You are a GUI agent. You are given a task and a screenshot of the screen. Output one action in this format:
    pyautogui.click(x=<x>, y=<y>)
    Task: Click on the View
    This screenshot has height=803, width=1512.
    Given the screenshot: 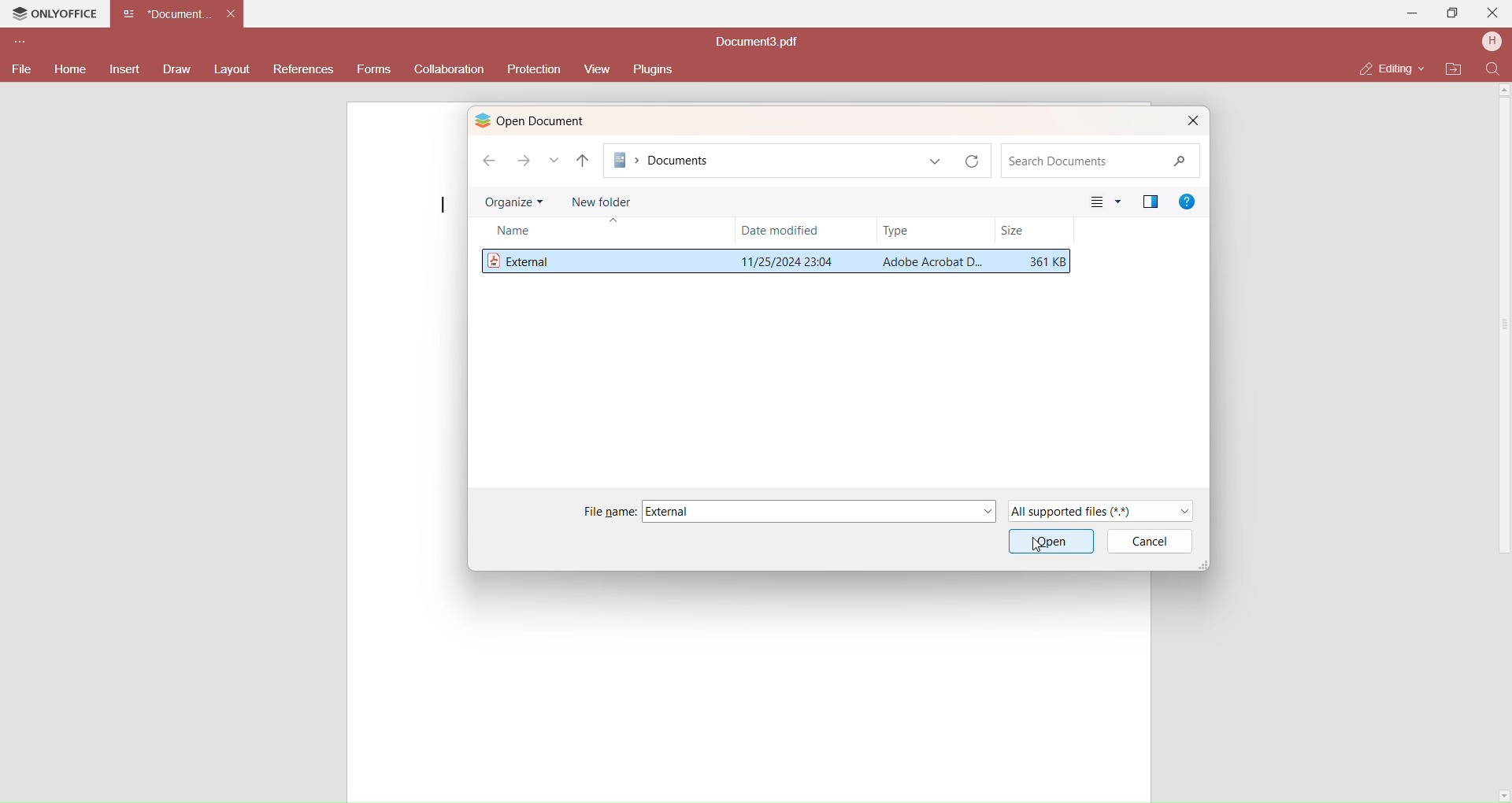 What is the action you would take?
    pyautogui.click(x=595, y=69)
    